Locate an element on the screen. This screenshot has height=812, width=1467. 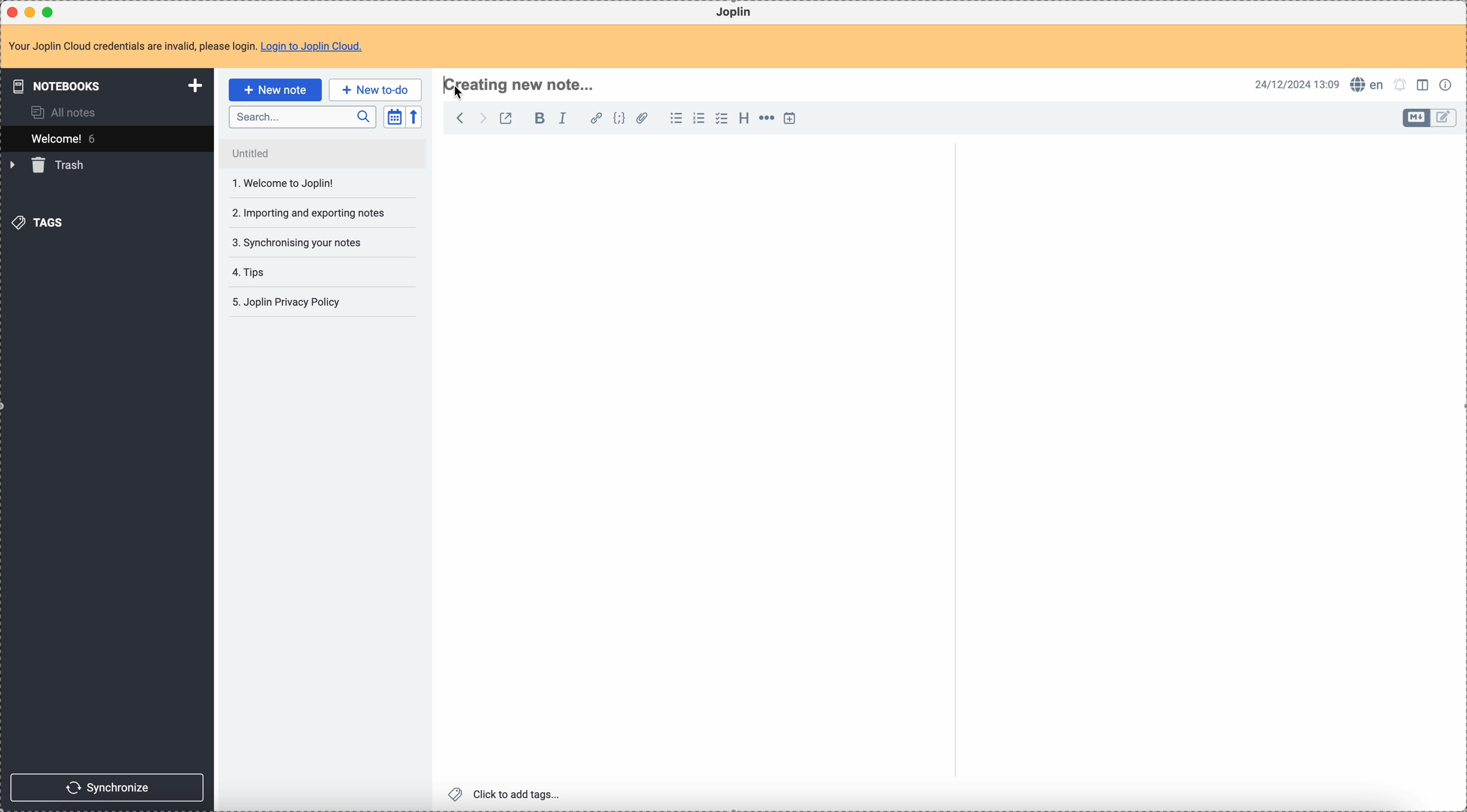
italic is located at coordinates (562, 117).